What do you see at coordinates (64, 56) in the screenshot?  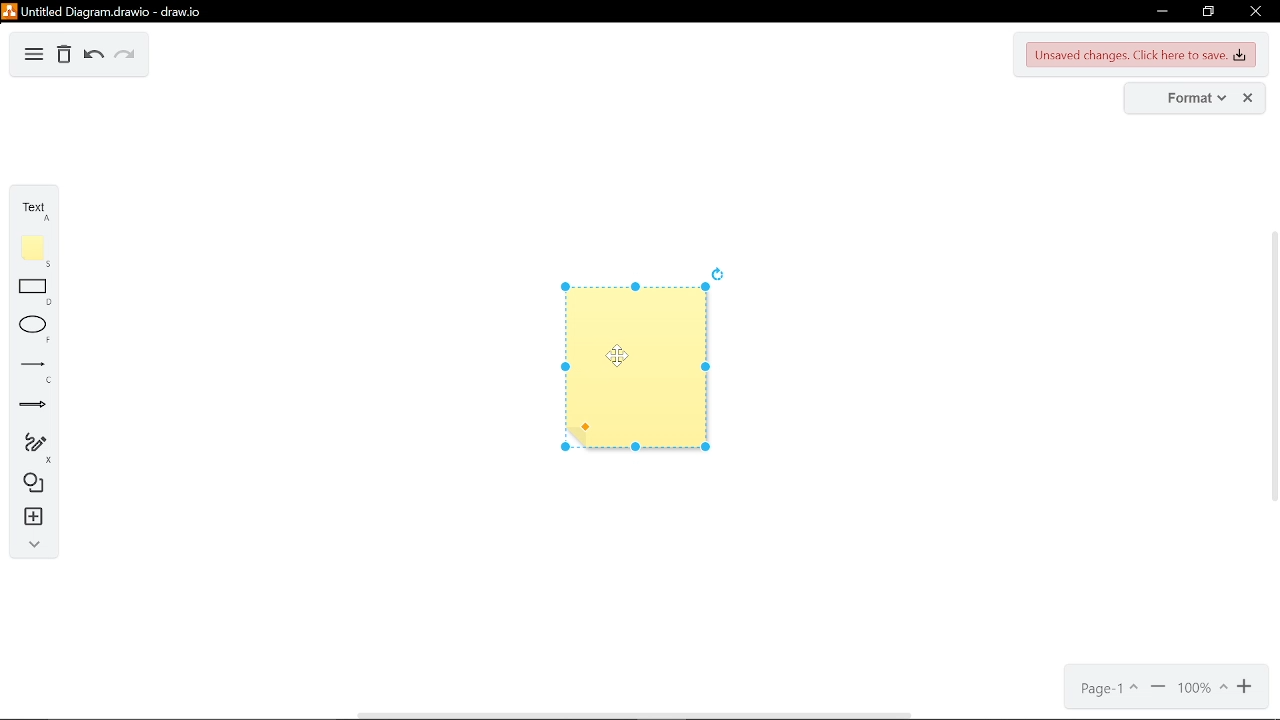 I see `delete` at bounding box center [64, 56].